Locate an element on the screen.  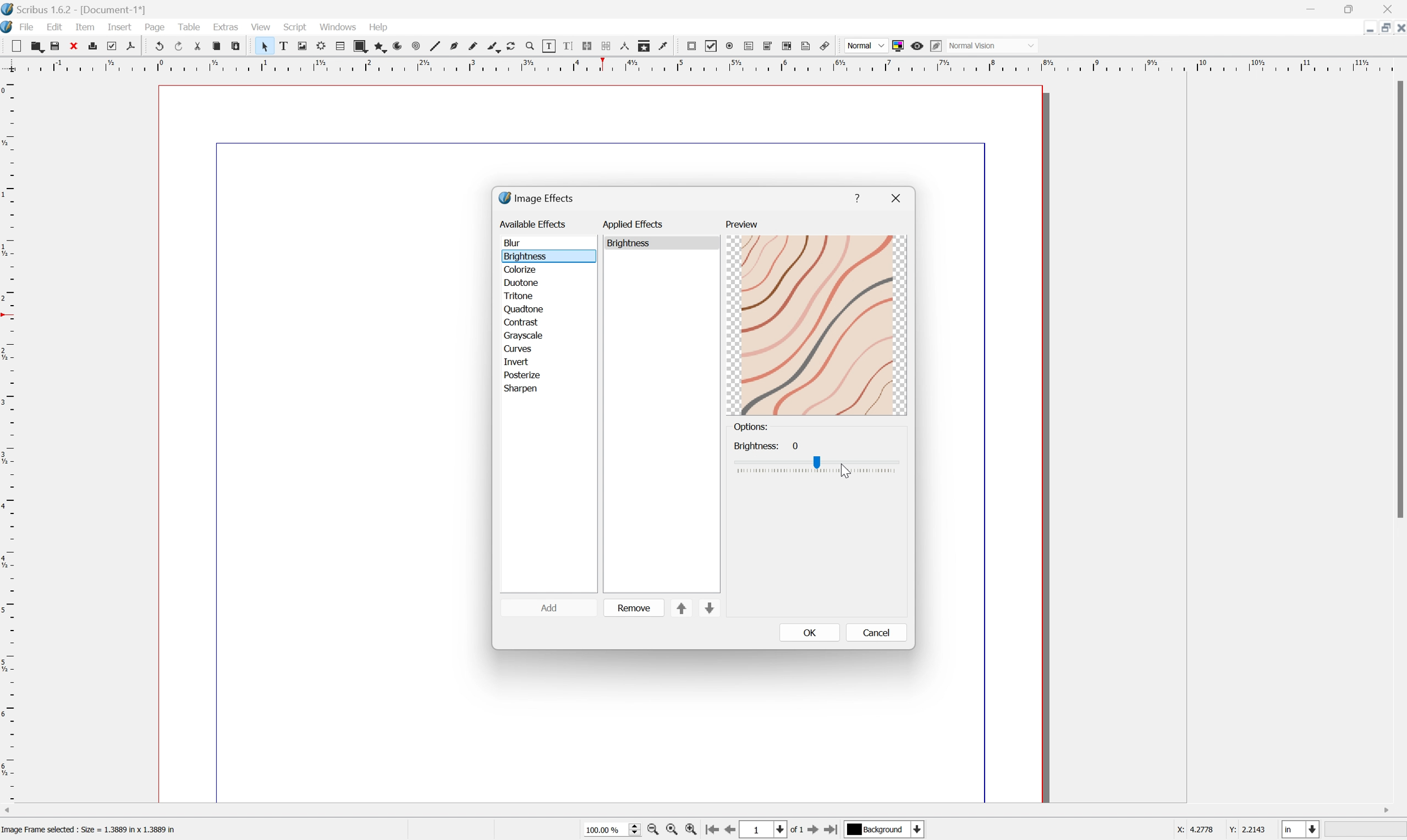
Rotate item is located at coordinates (515, 46).